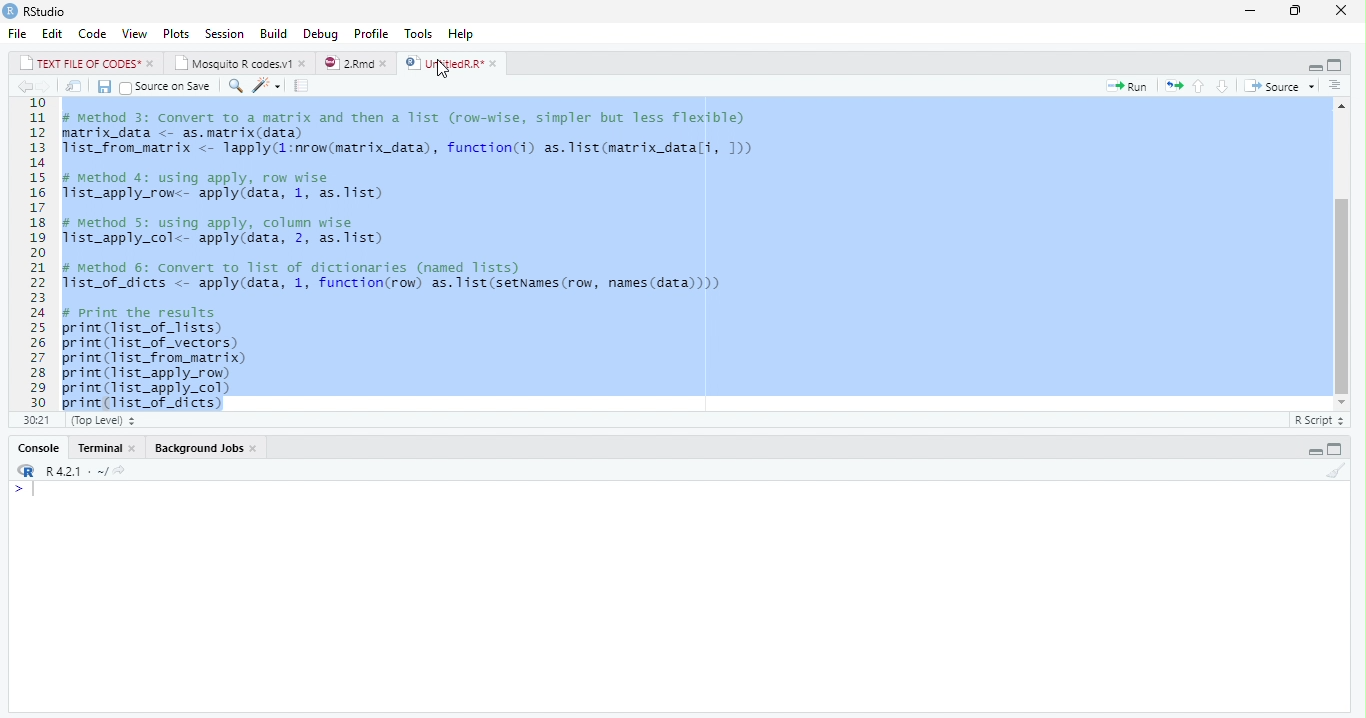 The image size is (1366, 718). I want to click on code tools, so click(268, 86).